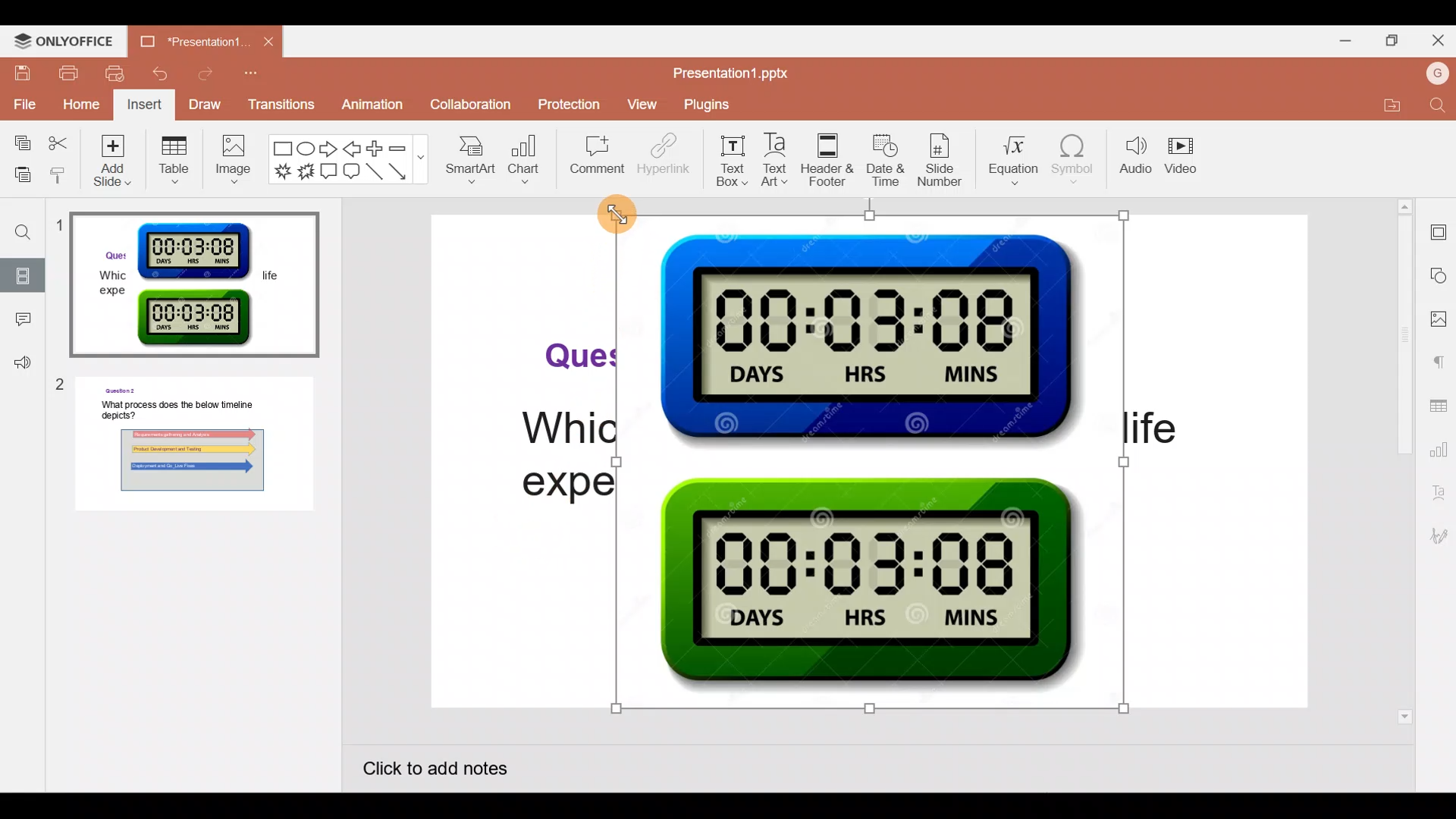 This screenshot has height=819, width=1456. I want to click on Transitions, so click(282, 105).